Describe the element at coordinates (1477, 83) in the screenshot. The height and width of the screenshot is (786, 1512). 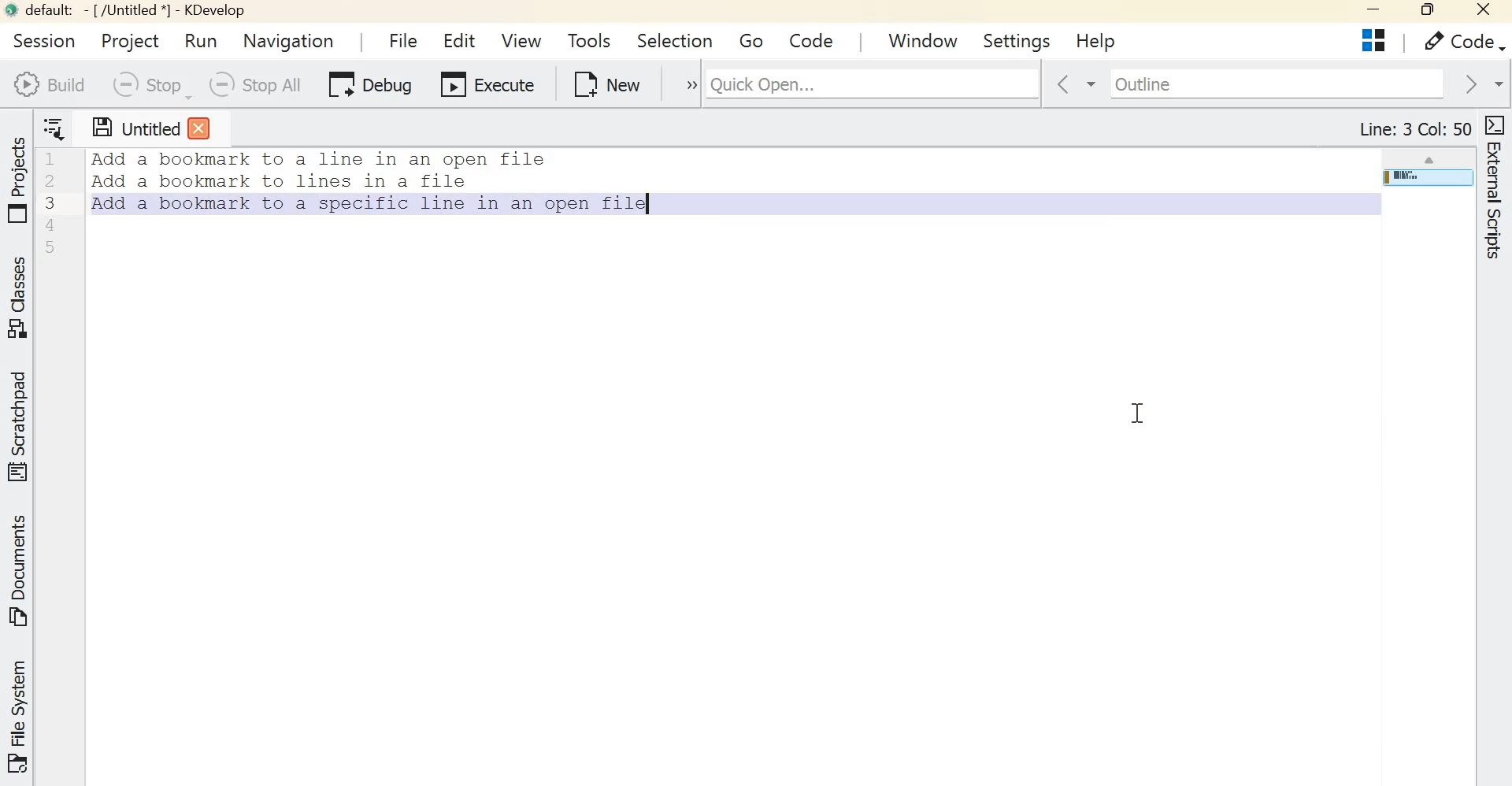
I see `go forward in context history` at that location.